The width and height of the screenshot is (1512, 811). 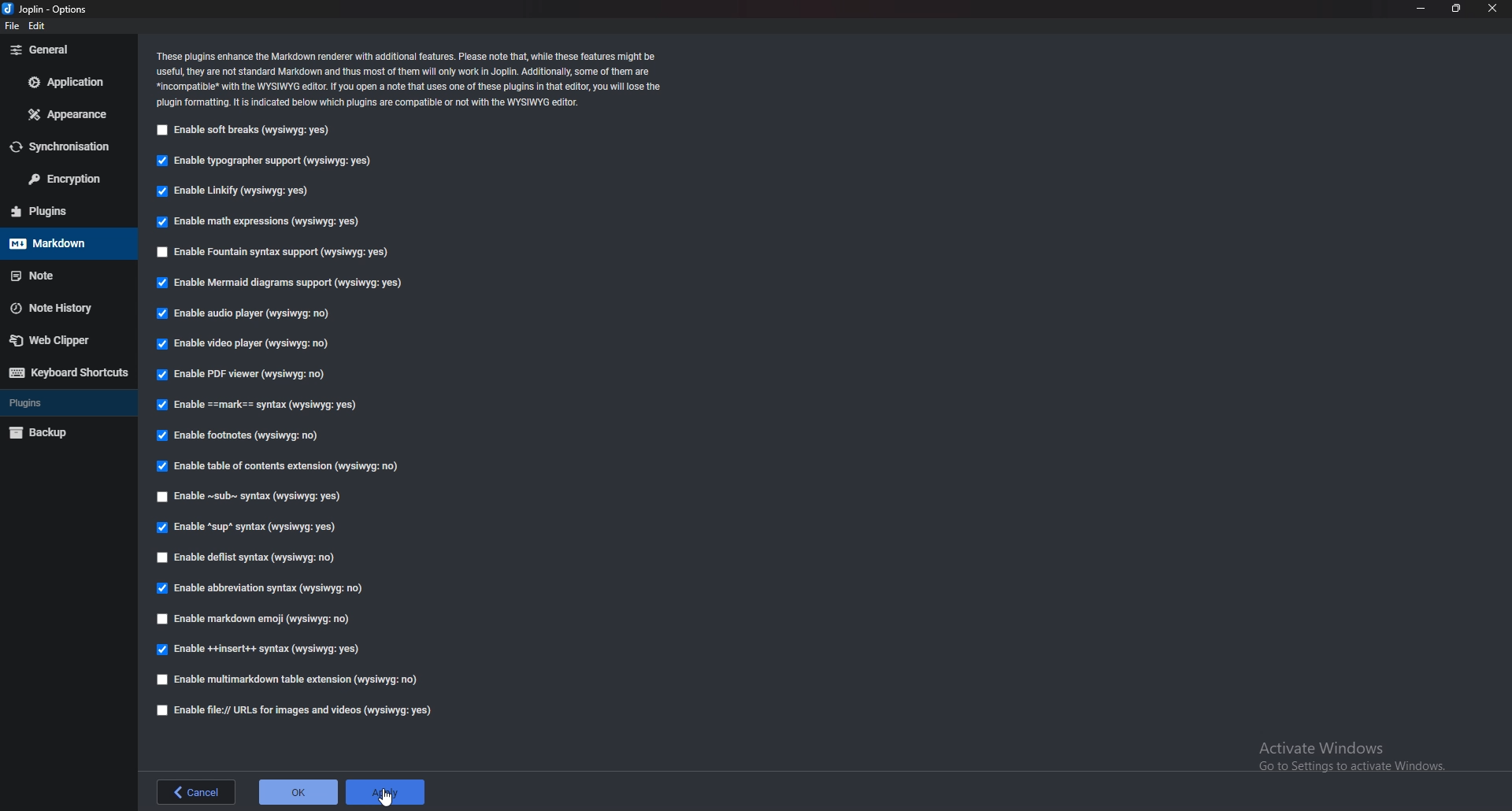 I want to click on  Enable footnotes, so click(x=242, y=435).